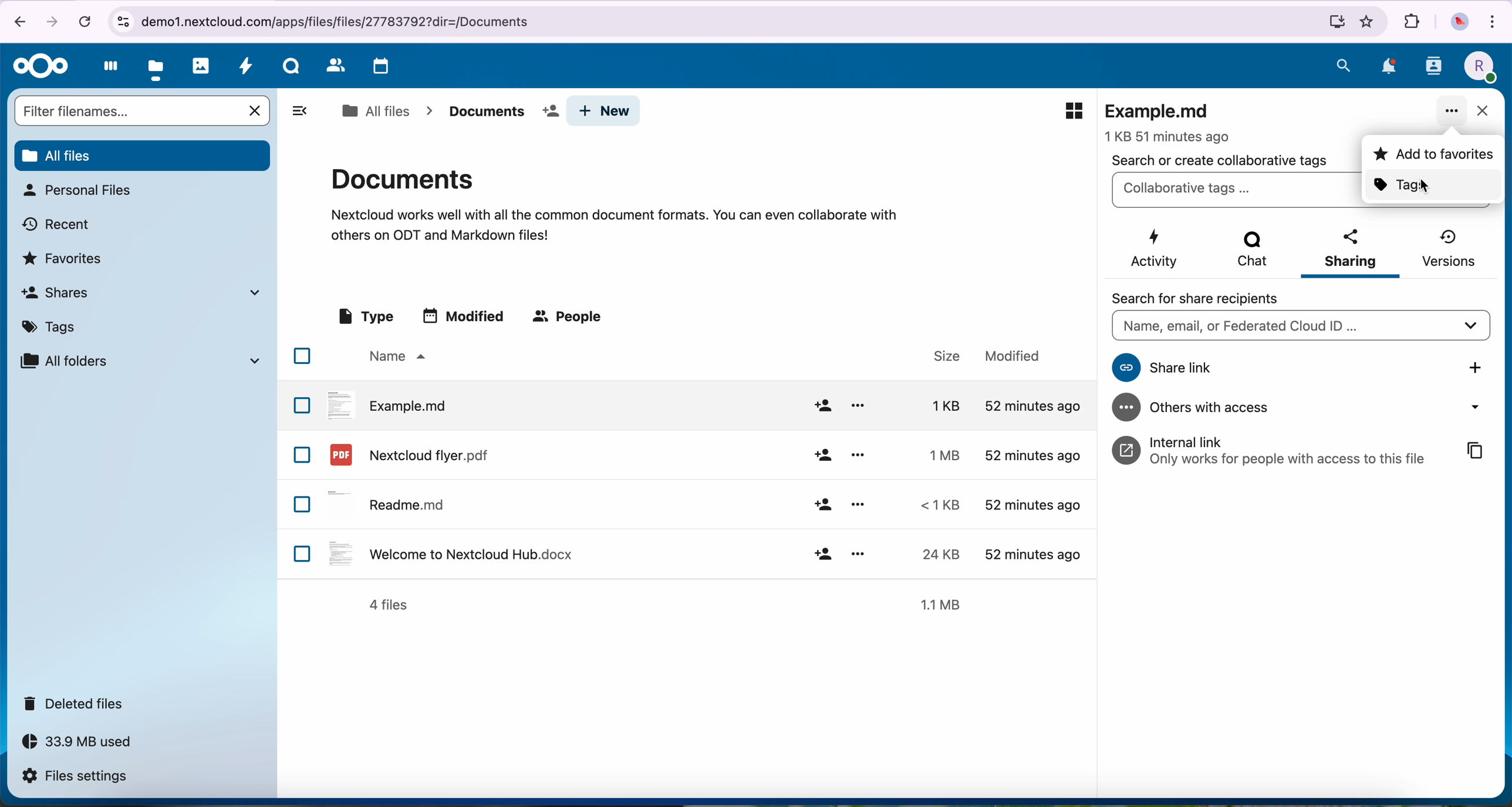 The image size is (1512, 807). Describe the element at coordinates (1220, 160) in the screenshot. I see `search or create collaborative tags` at that location.